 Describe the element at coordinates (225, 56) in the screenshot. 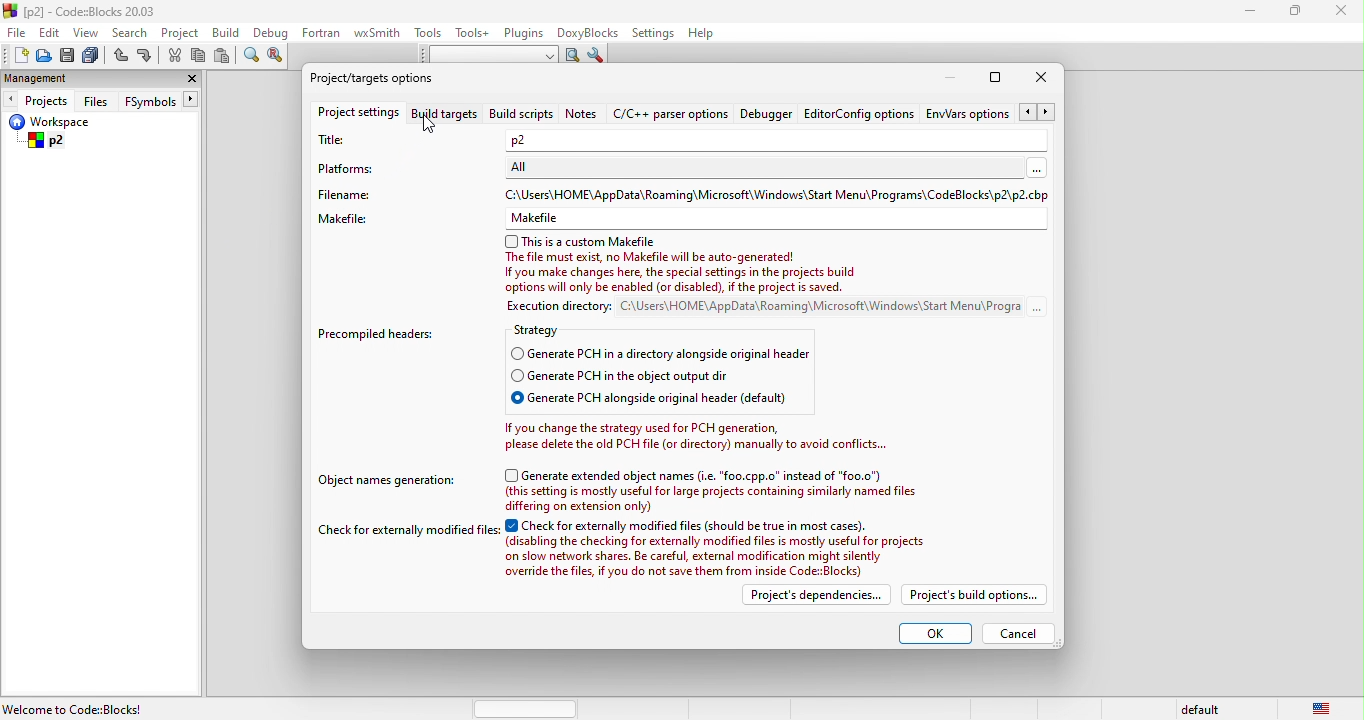

I see `paste` at that location.